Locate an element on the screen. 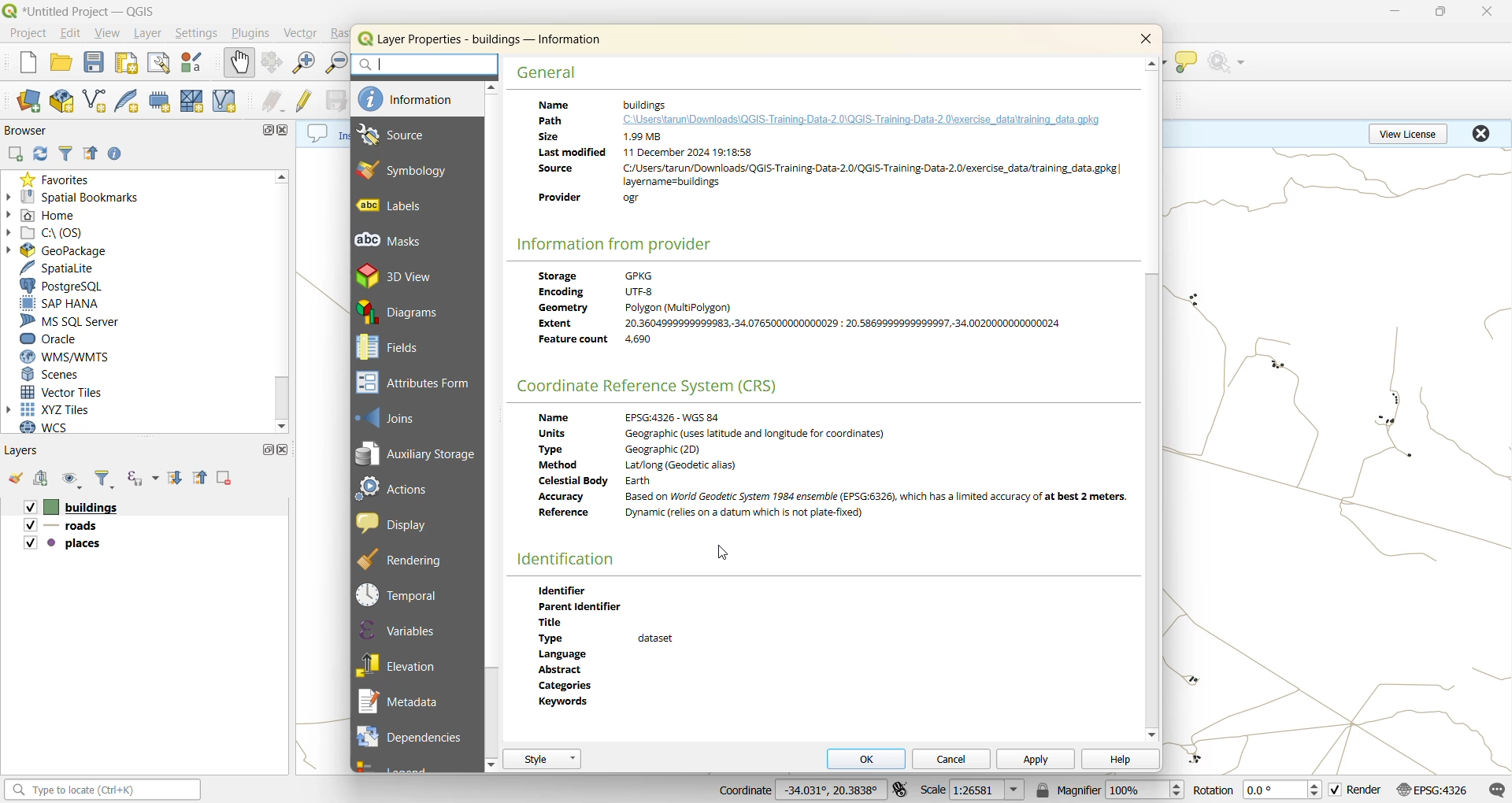  expand all is located at coordinates (177, 478).